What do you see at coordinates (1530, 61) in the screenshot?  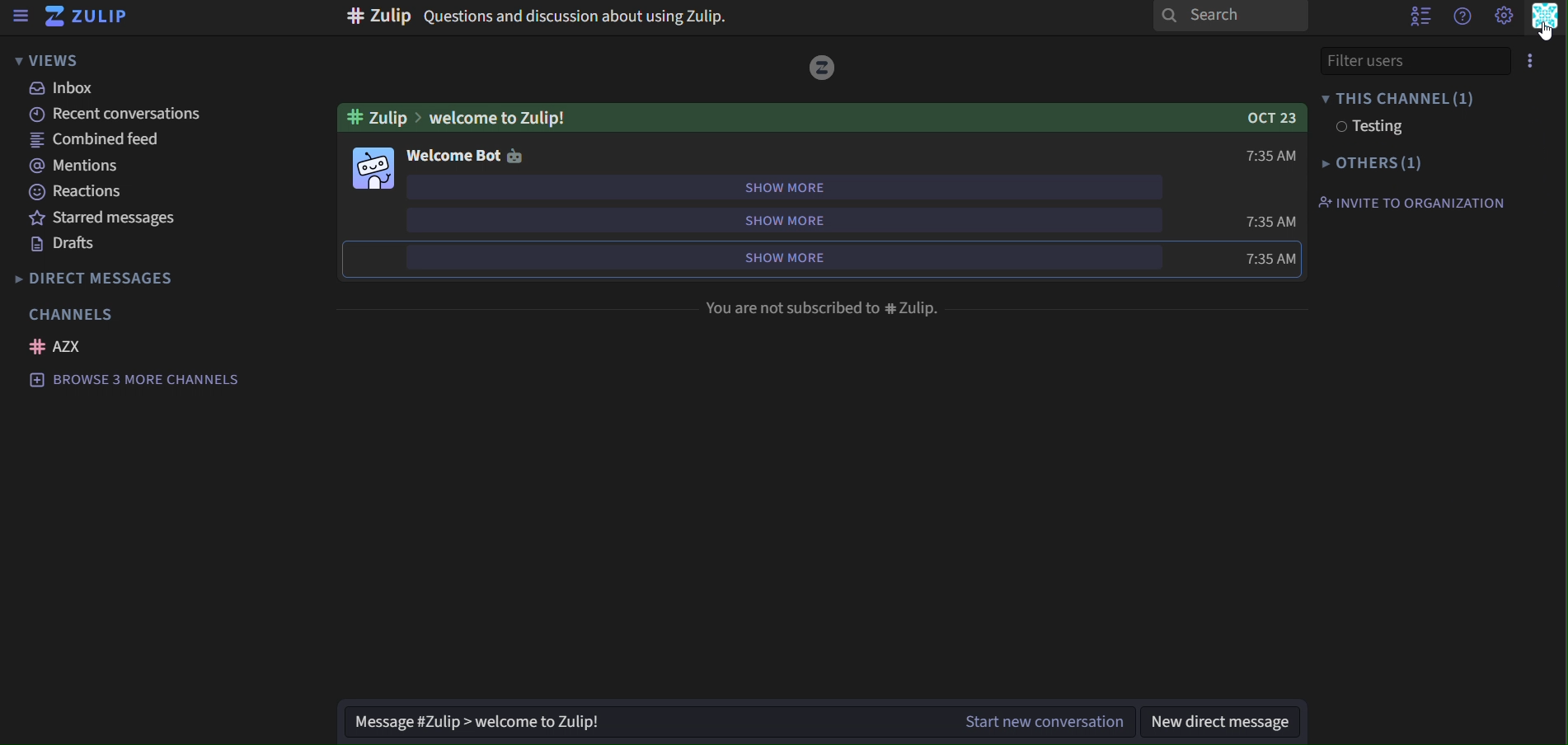 I see `Options` at bounding box center [1530, 61].